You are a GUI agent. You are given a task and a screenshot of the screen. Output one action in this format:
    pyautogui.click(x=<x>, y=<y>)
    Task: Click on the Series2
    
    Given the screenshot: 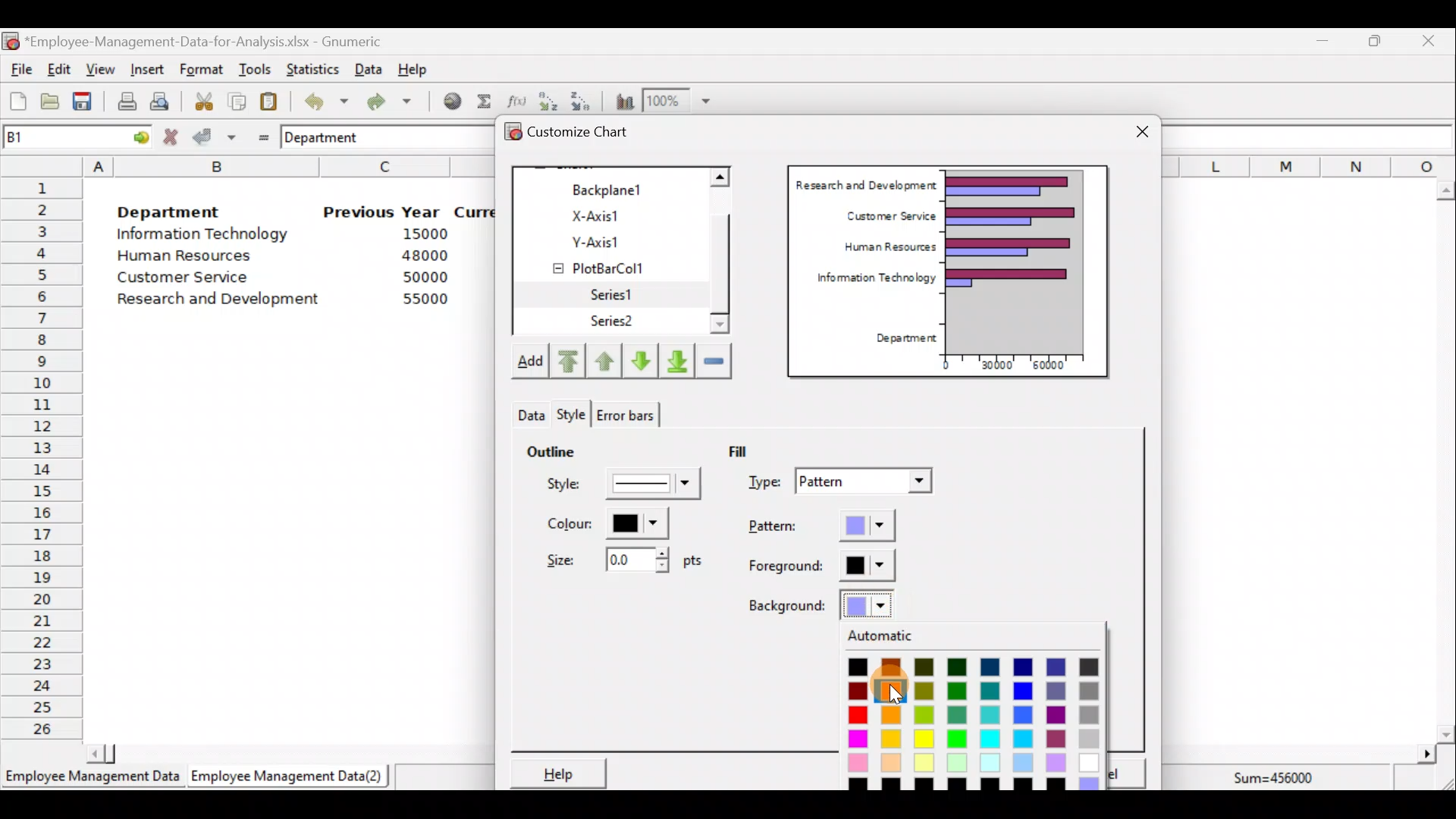 What is the action you would take?
    pyautogui.click(x=615, y=322)
    